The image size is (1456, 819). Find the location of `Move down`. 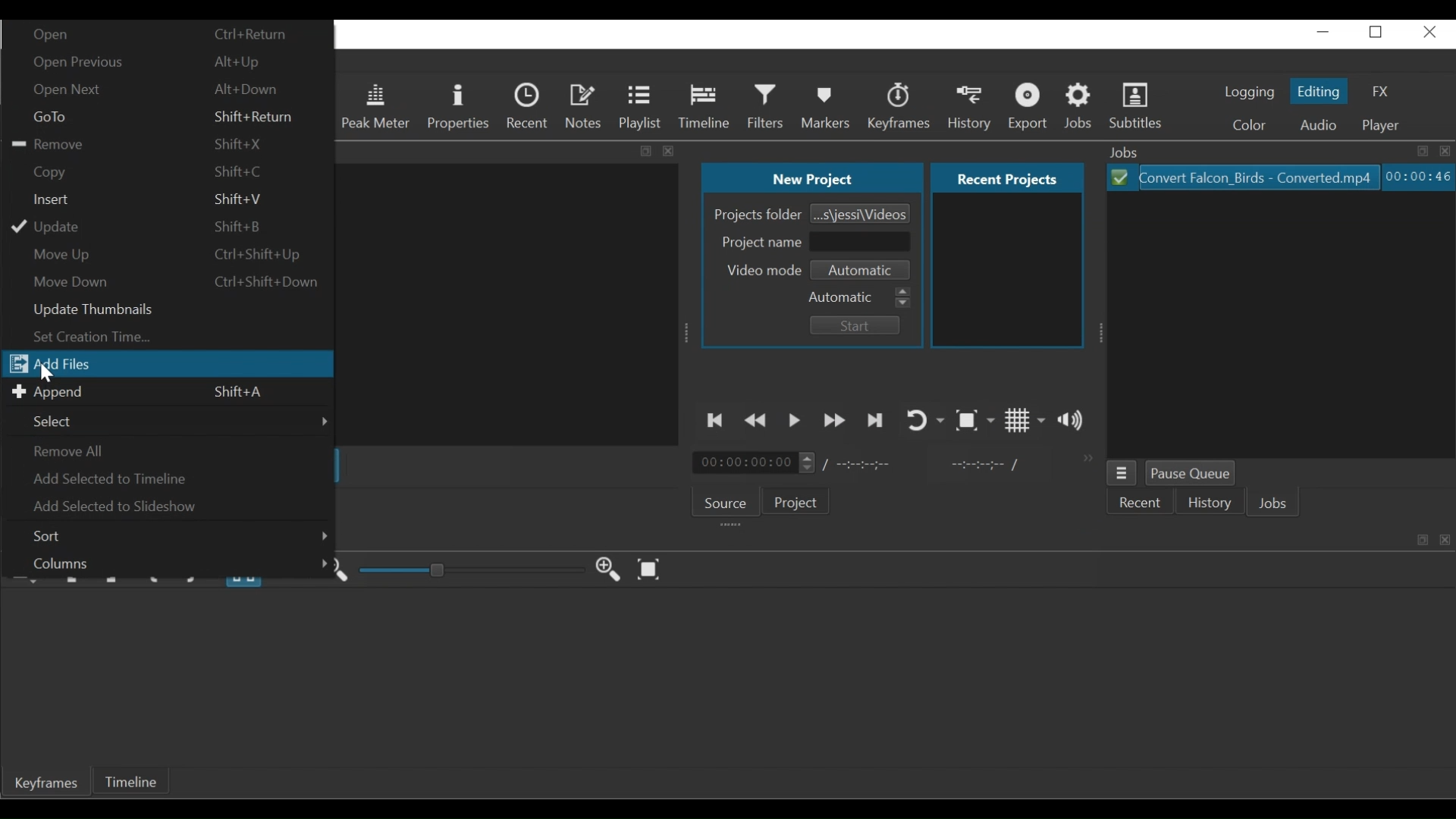

Move down is located at coordinates (175, 284).